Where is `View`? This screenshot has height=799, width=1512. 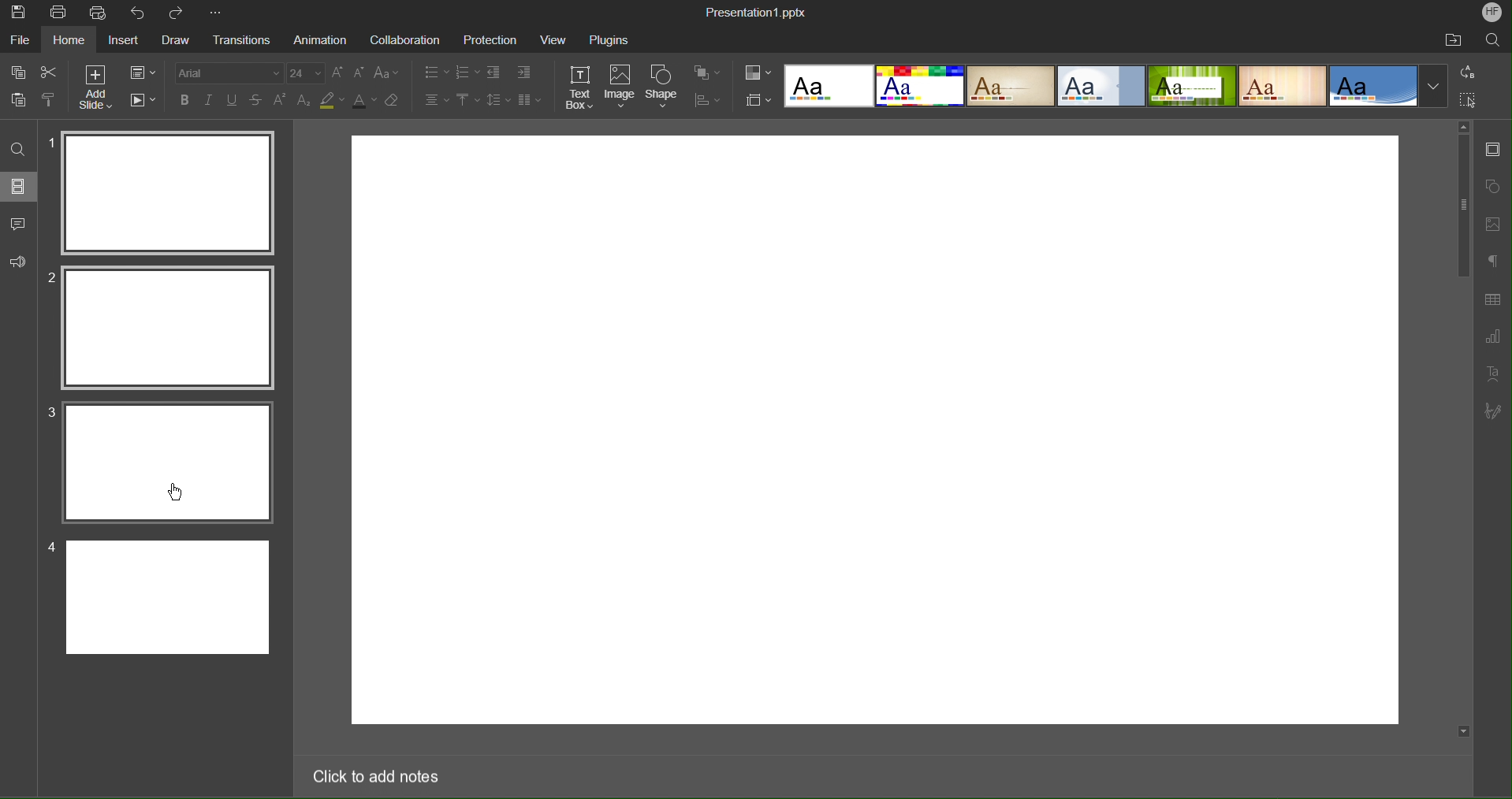 View is located at coordinates (553, 39).